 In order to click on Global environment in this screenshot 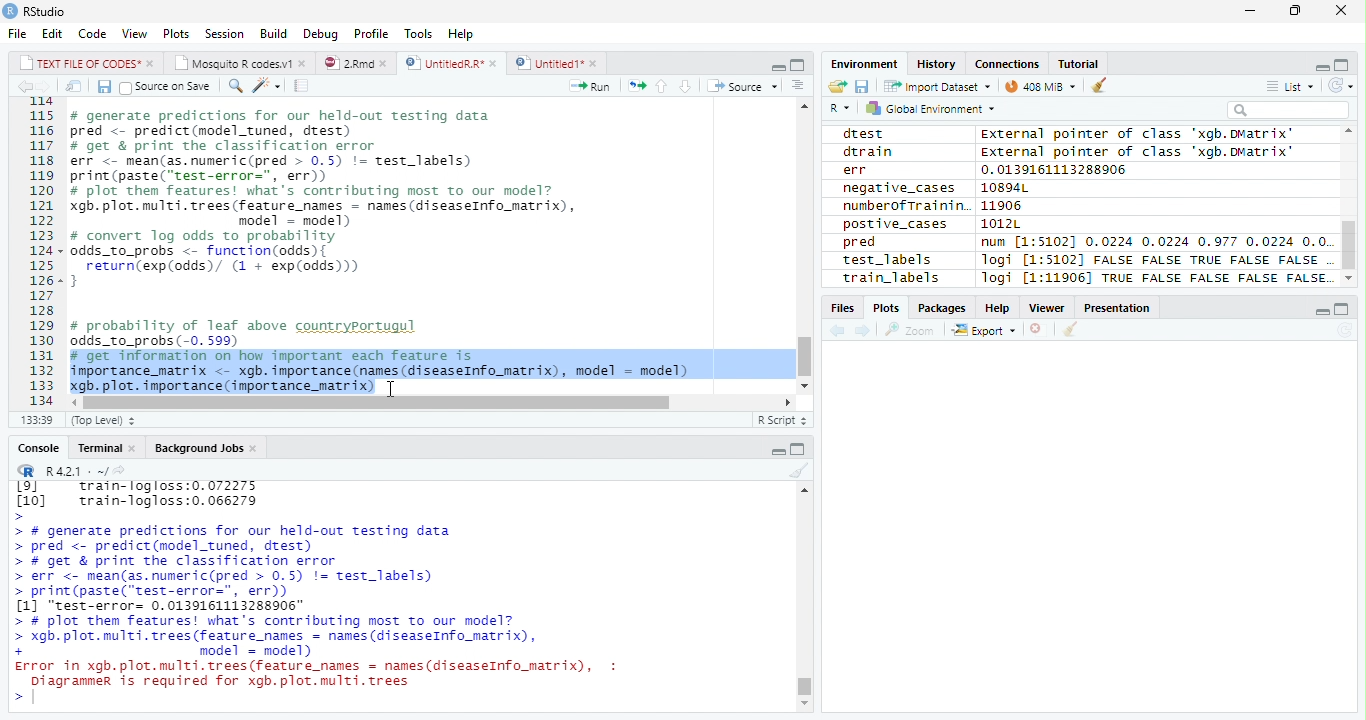, I will do `click(930, 109)`.